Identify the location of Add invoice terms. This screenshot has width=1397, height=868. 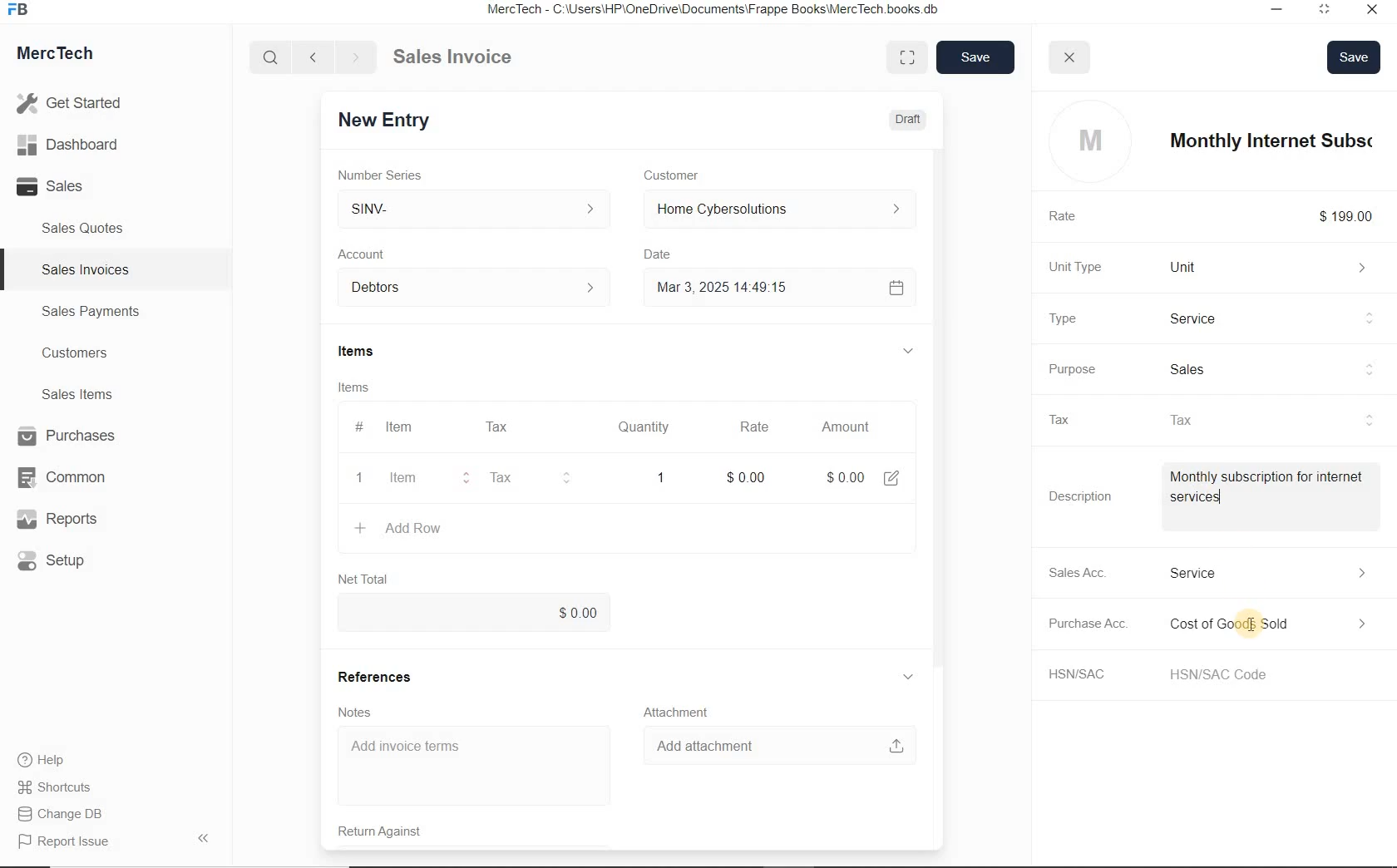
(474, 766).